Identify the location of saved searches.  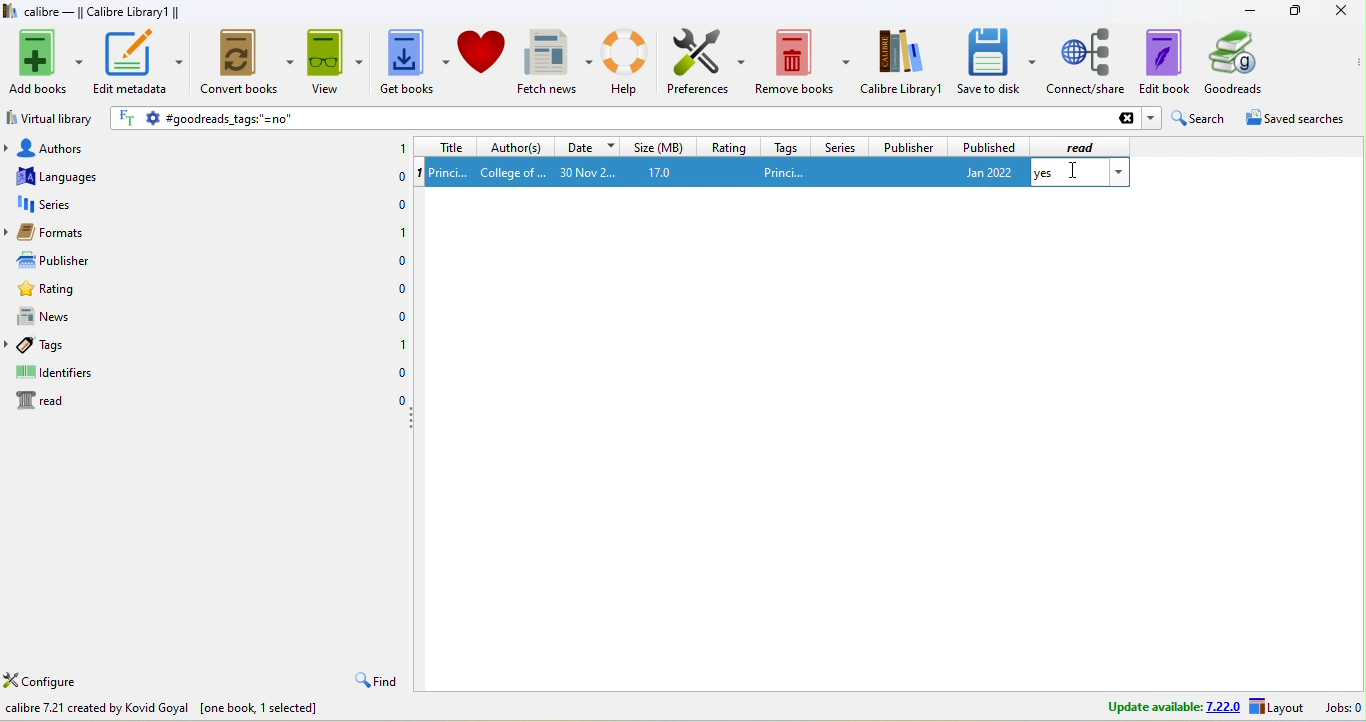
(1292, 118).